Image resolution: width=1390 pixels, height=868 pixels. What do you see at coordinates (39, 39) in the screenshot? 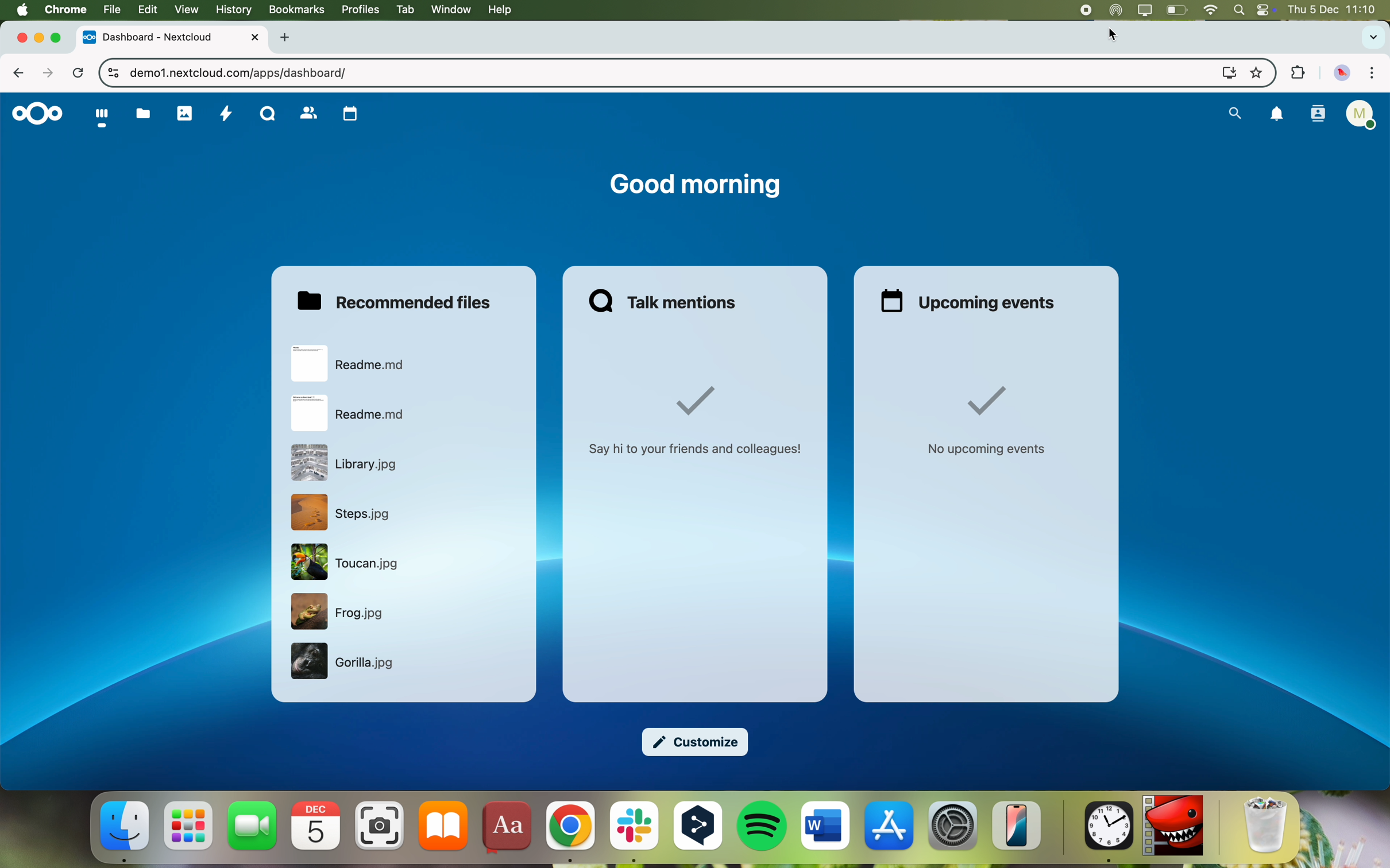
I see `minimize` at bounding box center [39, 39].